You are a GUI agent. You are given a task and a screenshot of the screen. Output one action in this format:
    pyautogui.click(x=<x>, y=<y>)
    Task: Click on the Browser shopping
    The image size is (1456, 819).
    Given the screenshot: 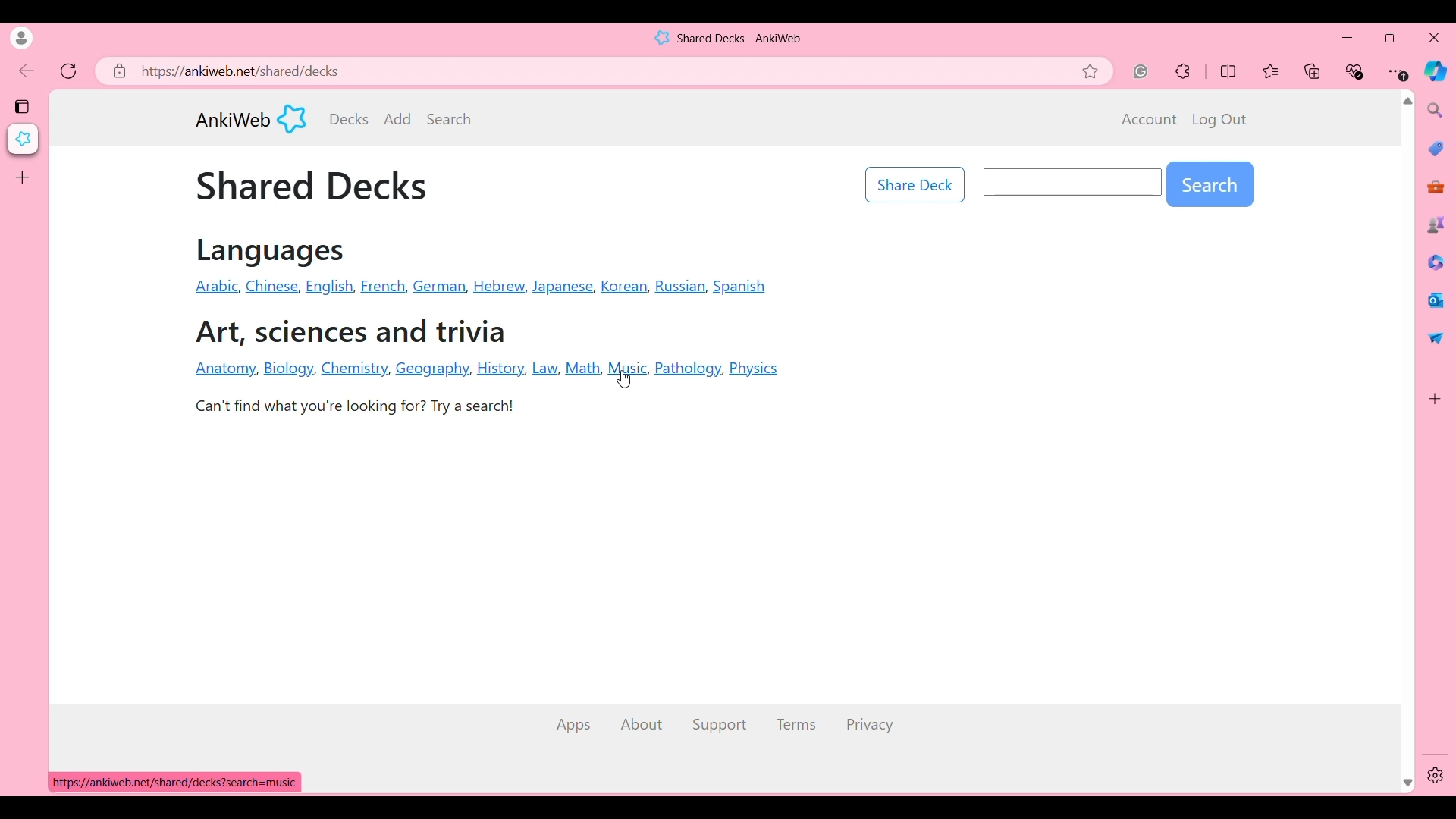 What is the action you would take?
    pyautogui.click(x=1436, y=148)
    